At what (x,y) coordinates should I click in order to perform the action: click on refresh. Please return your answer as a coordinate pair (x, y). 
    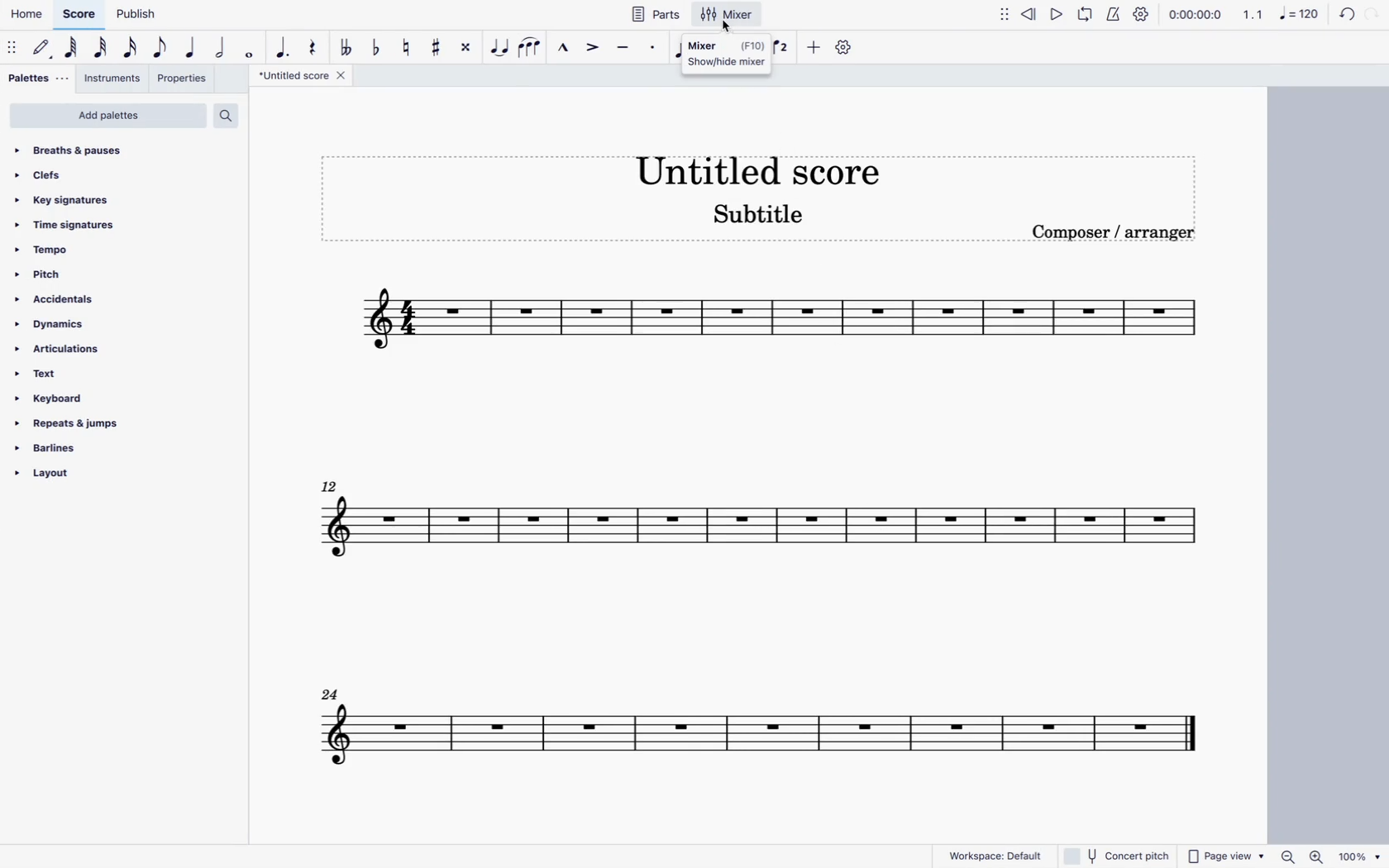
    Looking at the image, I should click on (1344, 16).